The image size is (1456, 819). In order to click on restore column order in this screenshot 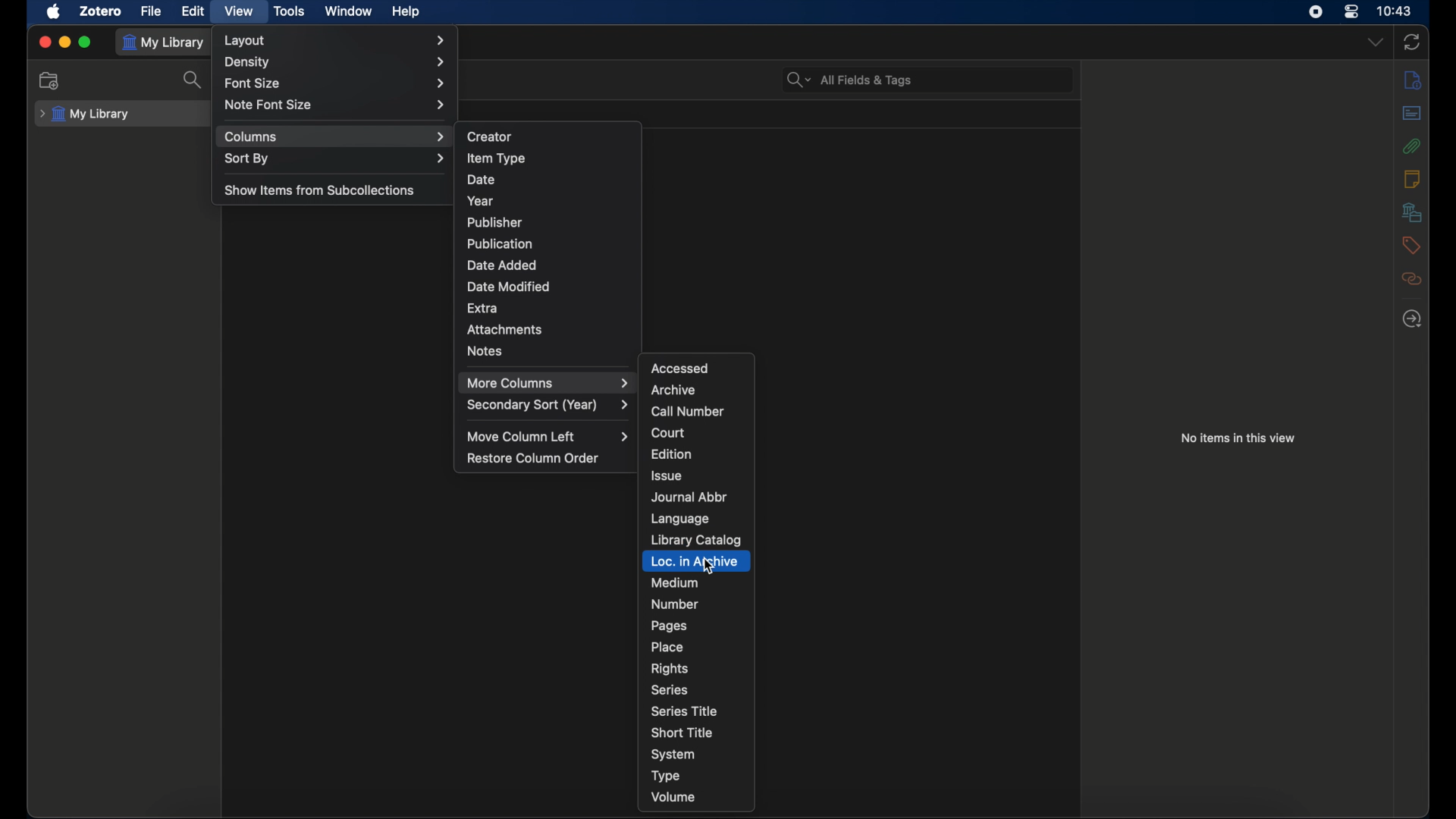, I will do `click(535, 459)`.